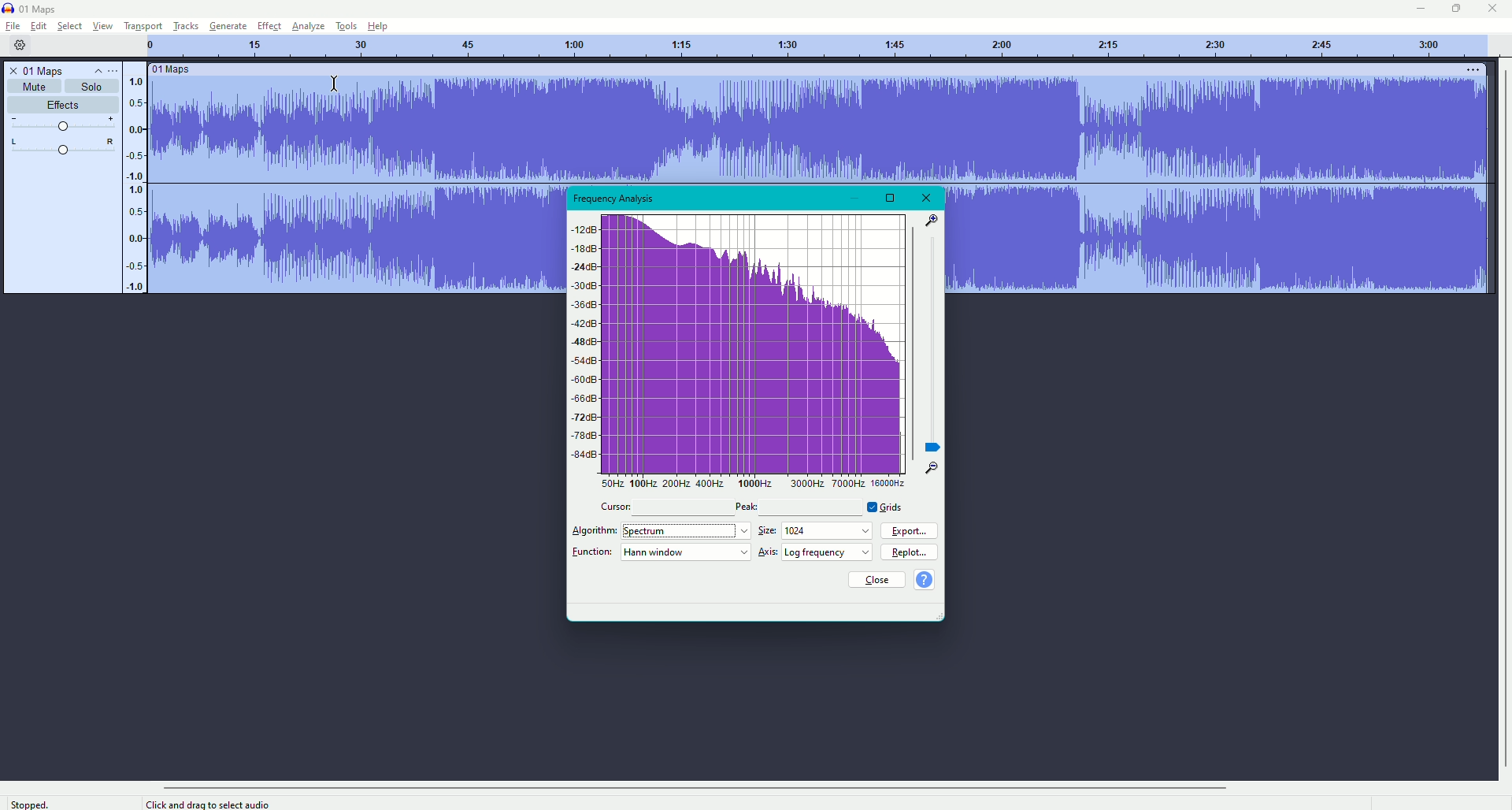  Describe the element at coordinates (876, 580) in the screenshot. I see `Close` at that location.